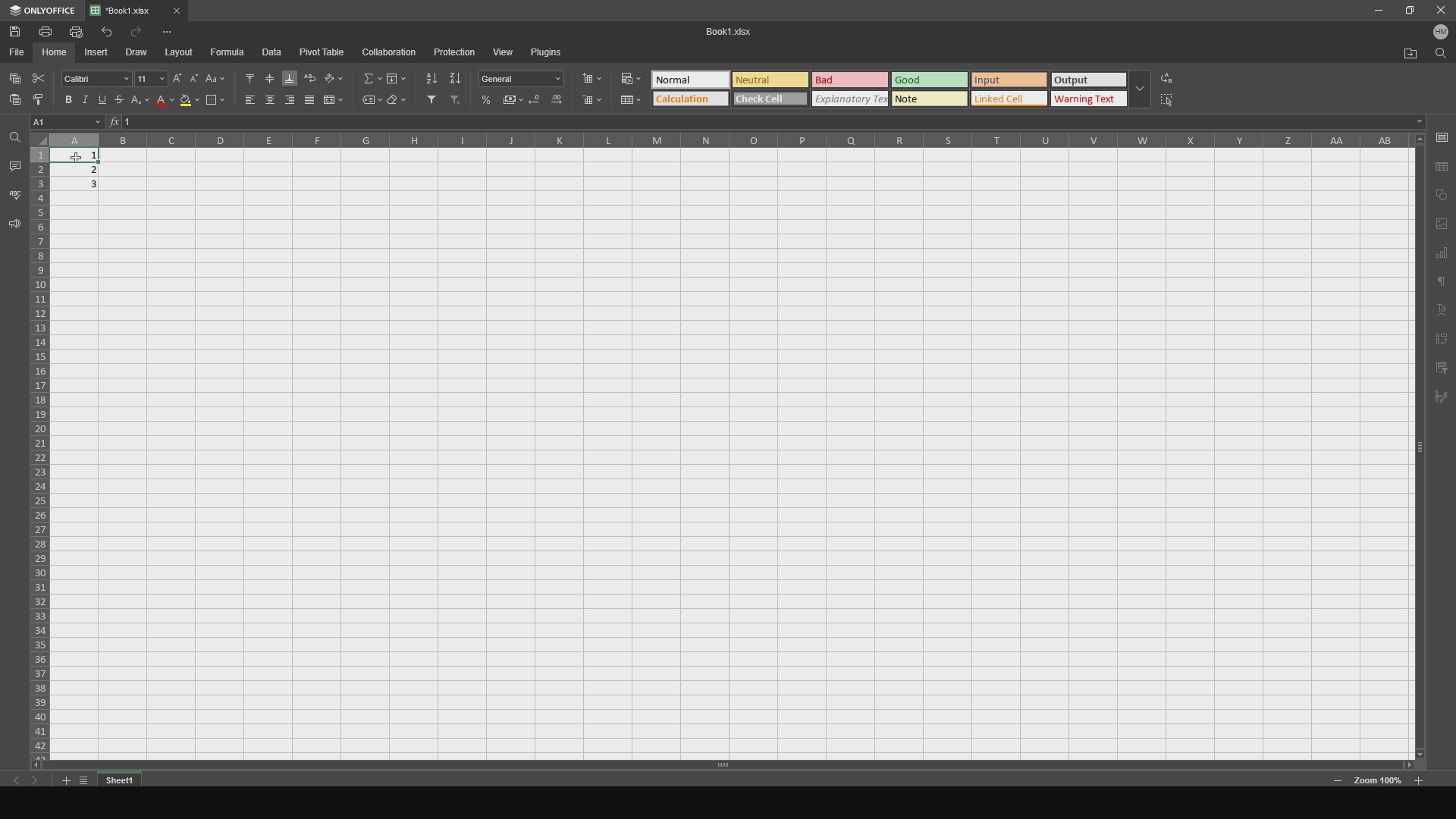  What do you see at coordinates (324, 52) in the screenshot?
I see `pivot table` at bounding box center [324, 52].